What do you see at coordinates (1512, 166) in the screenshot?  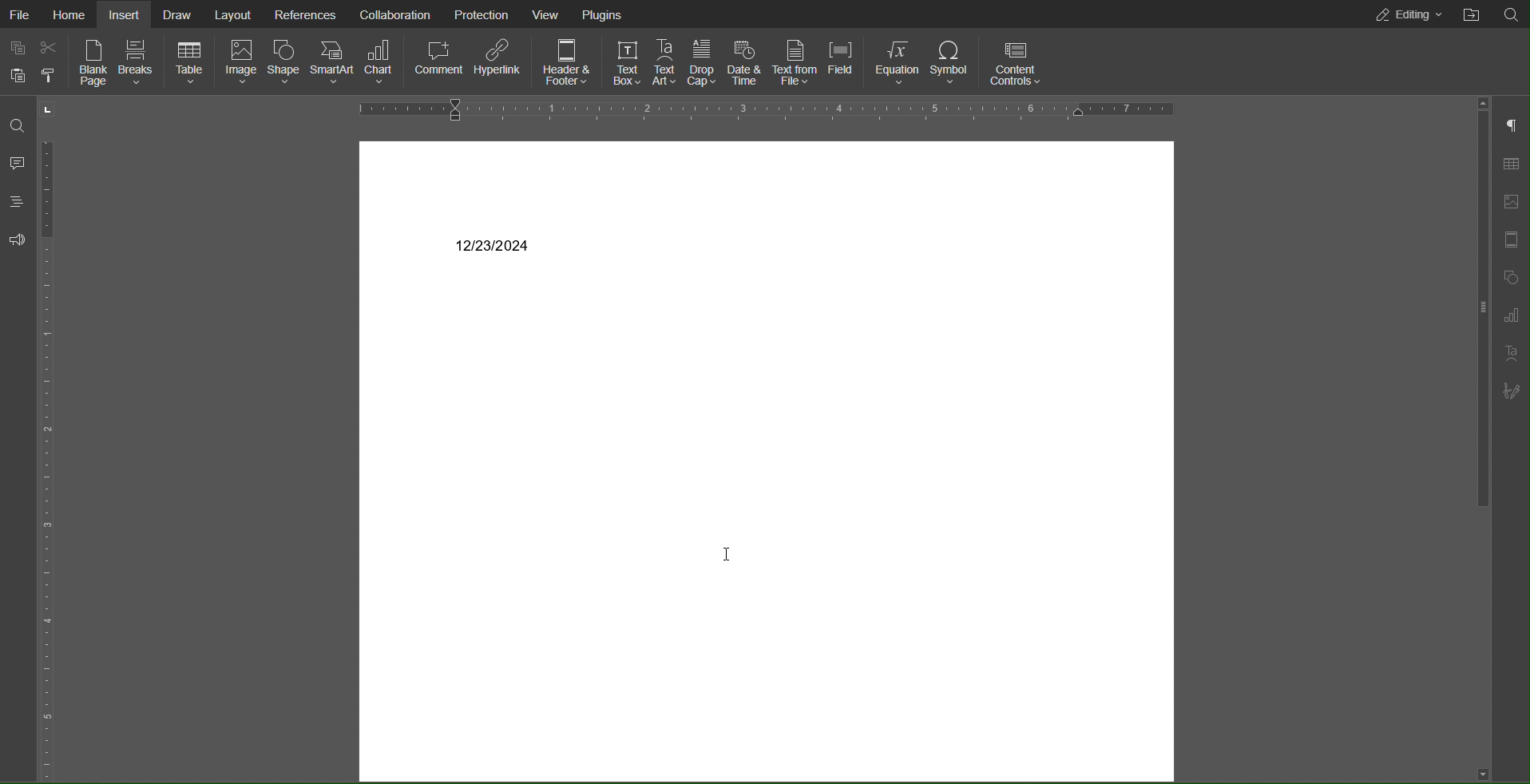 I see `Table Settings` at bounding box center [1512, 166].